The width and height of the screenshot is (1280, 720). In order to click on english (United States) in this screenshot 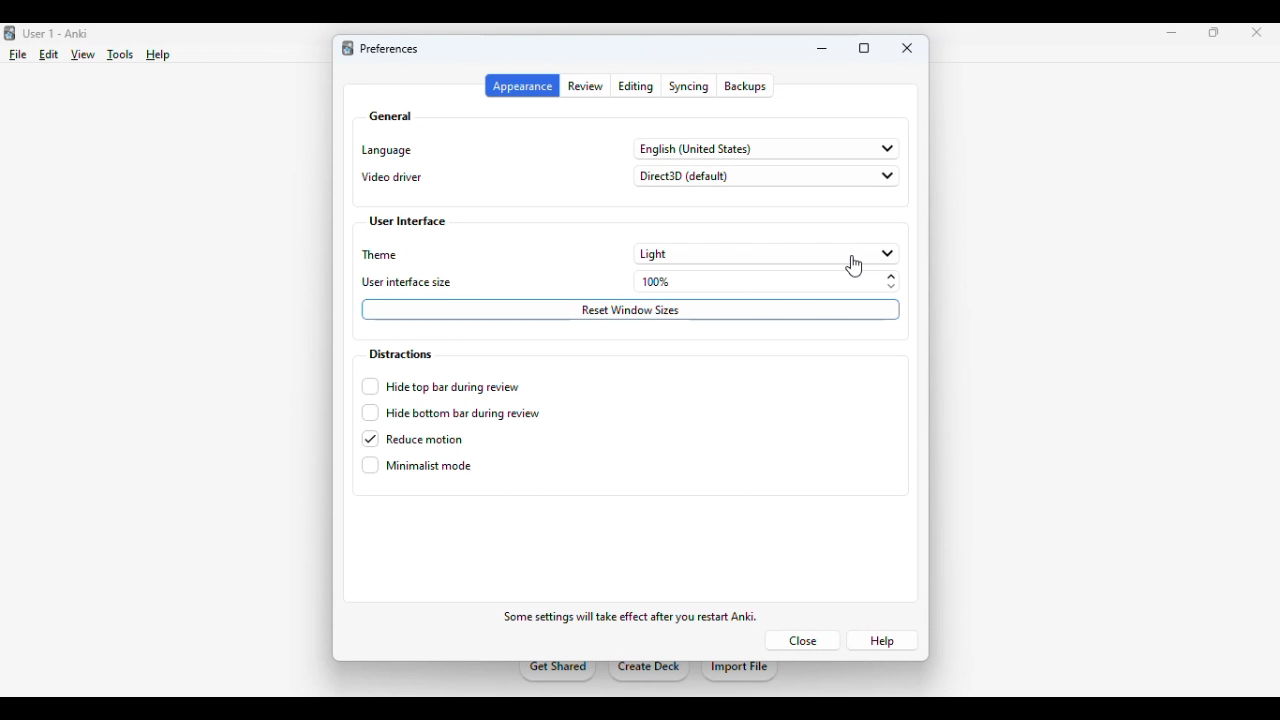, I will do `click(768, 149)`.